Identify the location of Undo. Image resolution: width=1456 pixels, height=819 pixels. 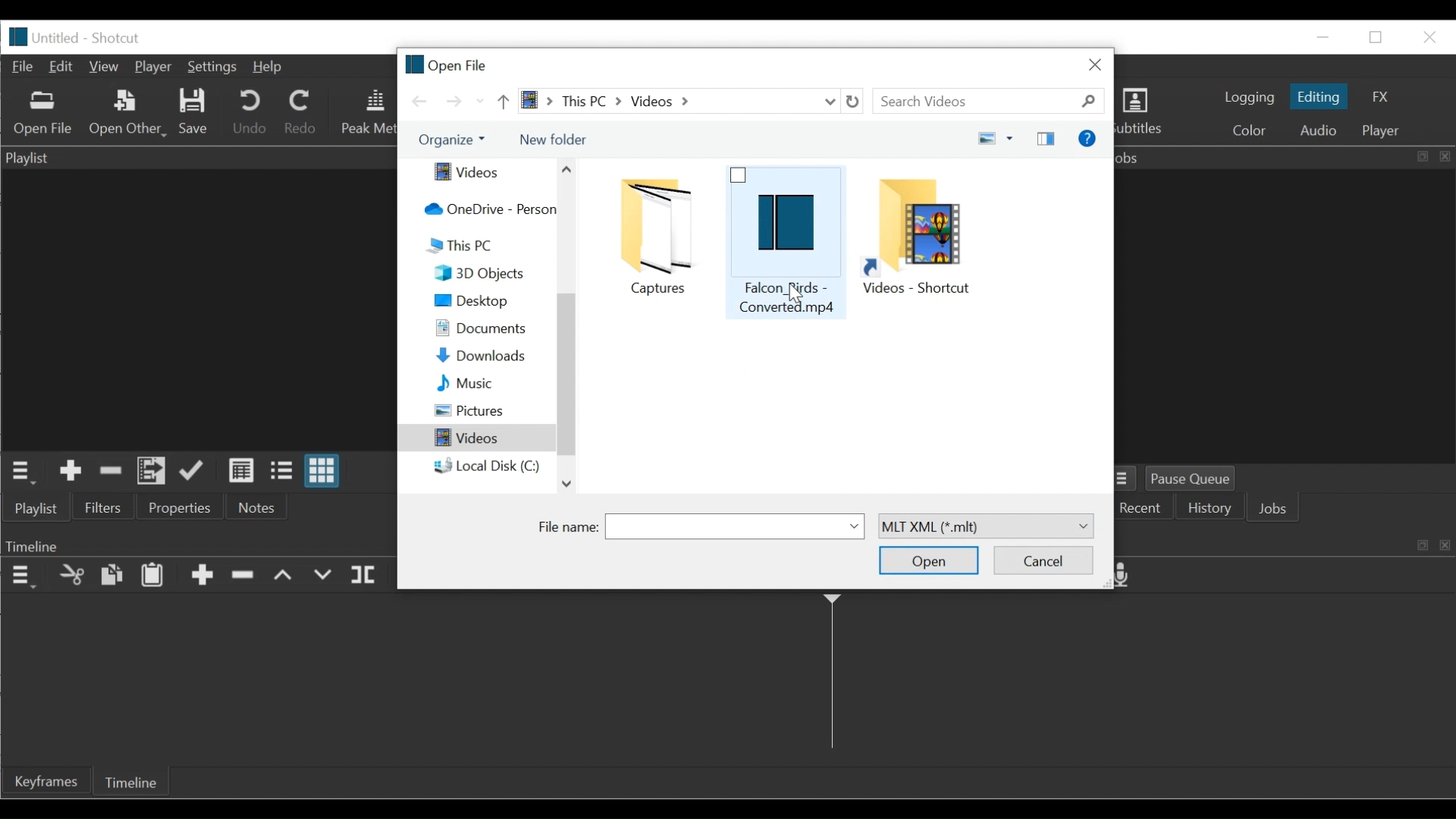
(249, 112).